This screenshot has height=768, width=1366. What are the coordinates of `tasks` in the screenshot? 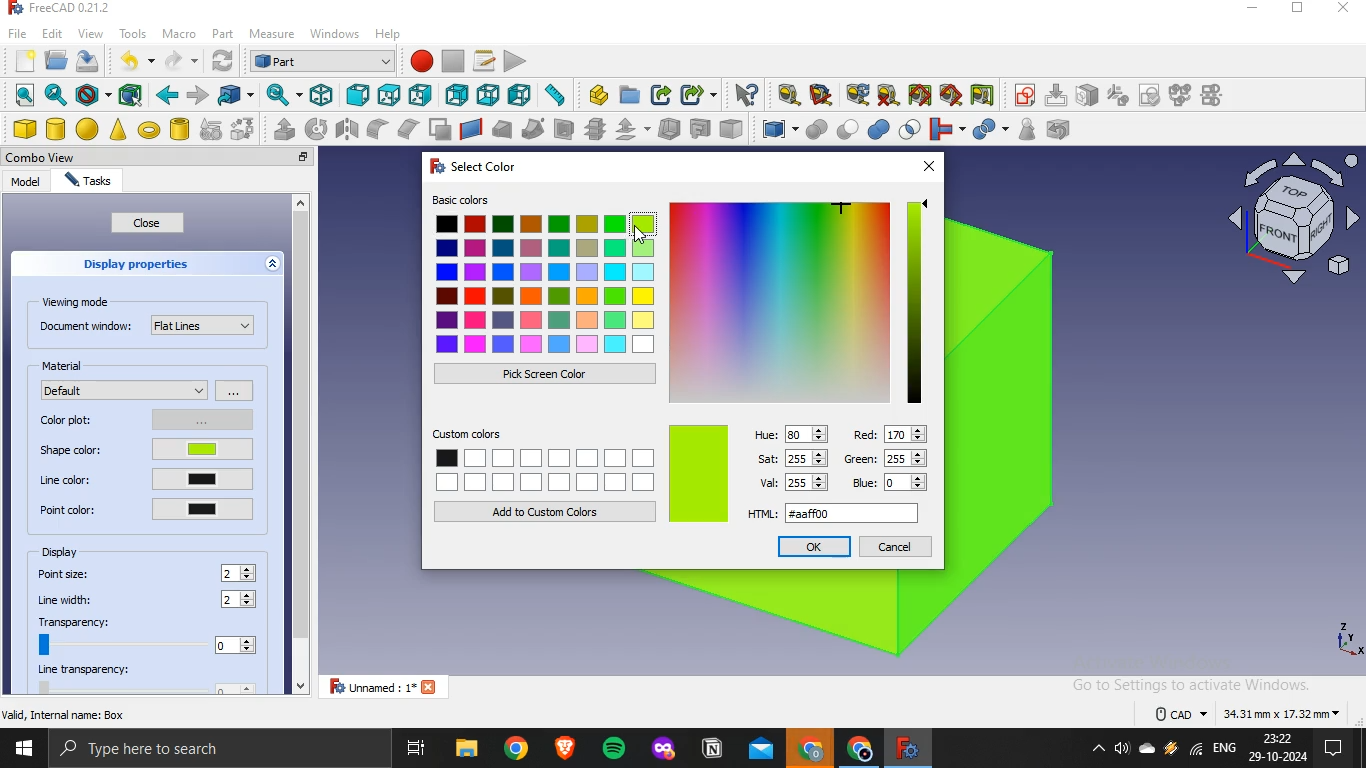 It's located at (86, 182).